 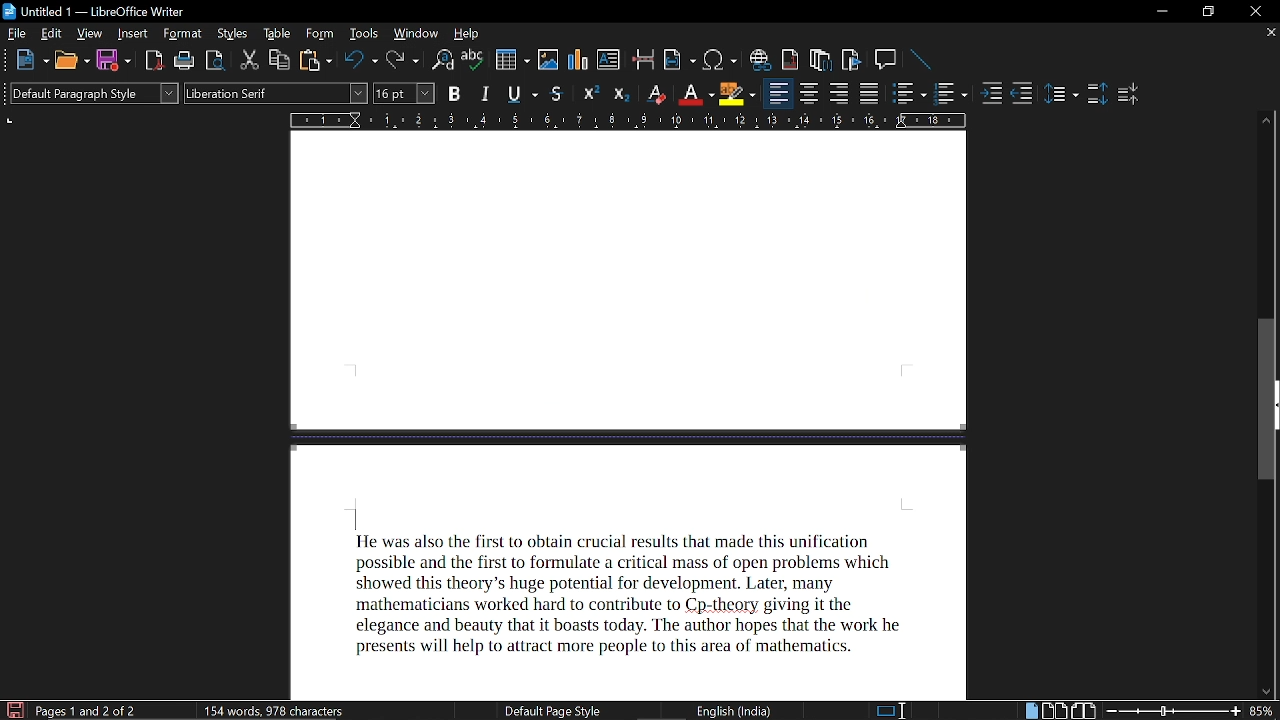 I want to click on Insert image, so click(x=550, y=59).